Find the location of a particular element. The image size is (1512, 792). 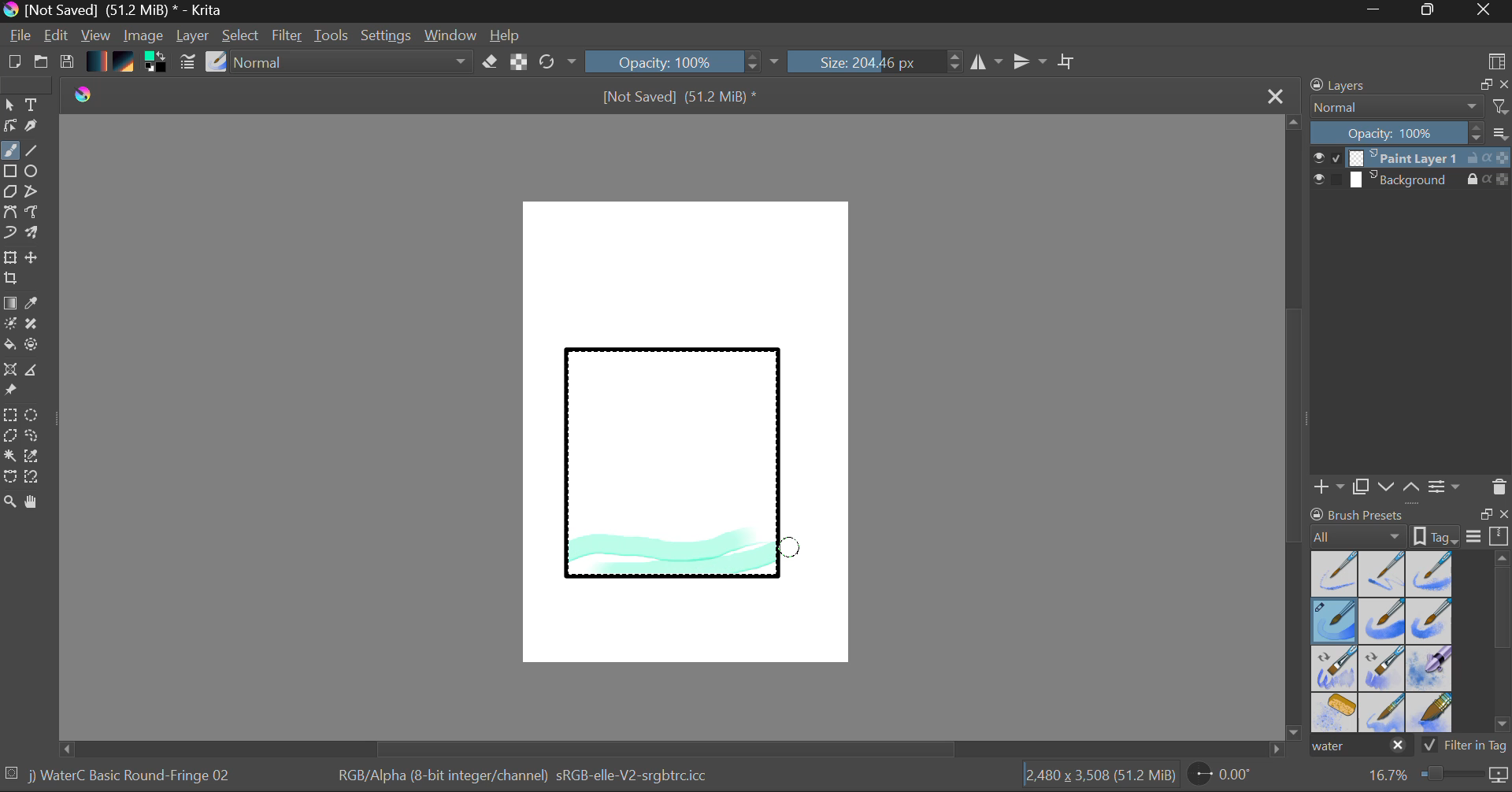

Blending Tool is located at coordinates (354, 63).